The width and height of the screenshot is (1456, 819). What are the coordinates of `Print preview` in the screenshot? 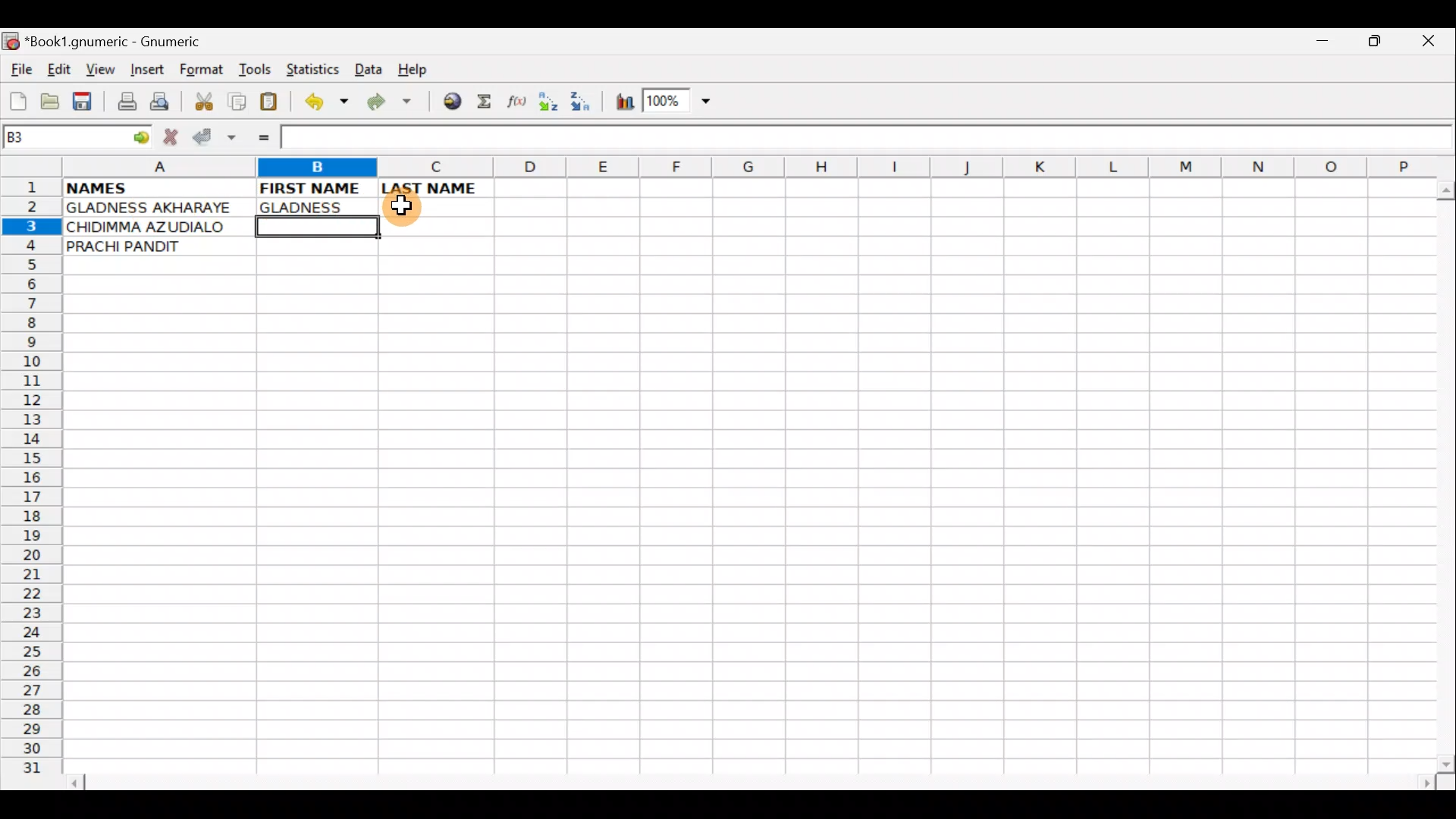 It's located at (160, 105).